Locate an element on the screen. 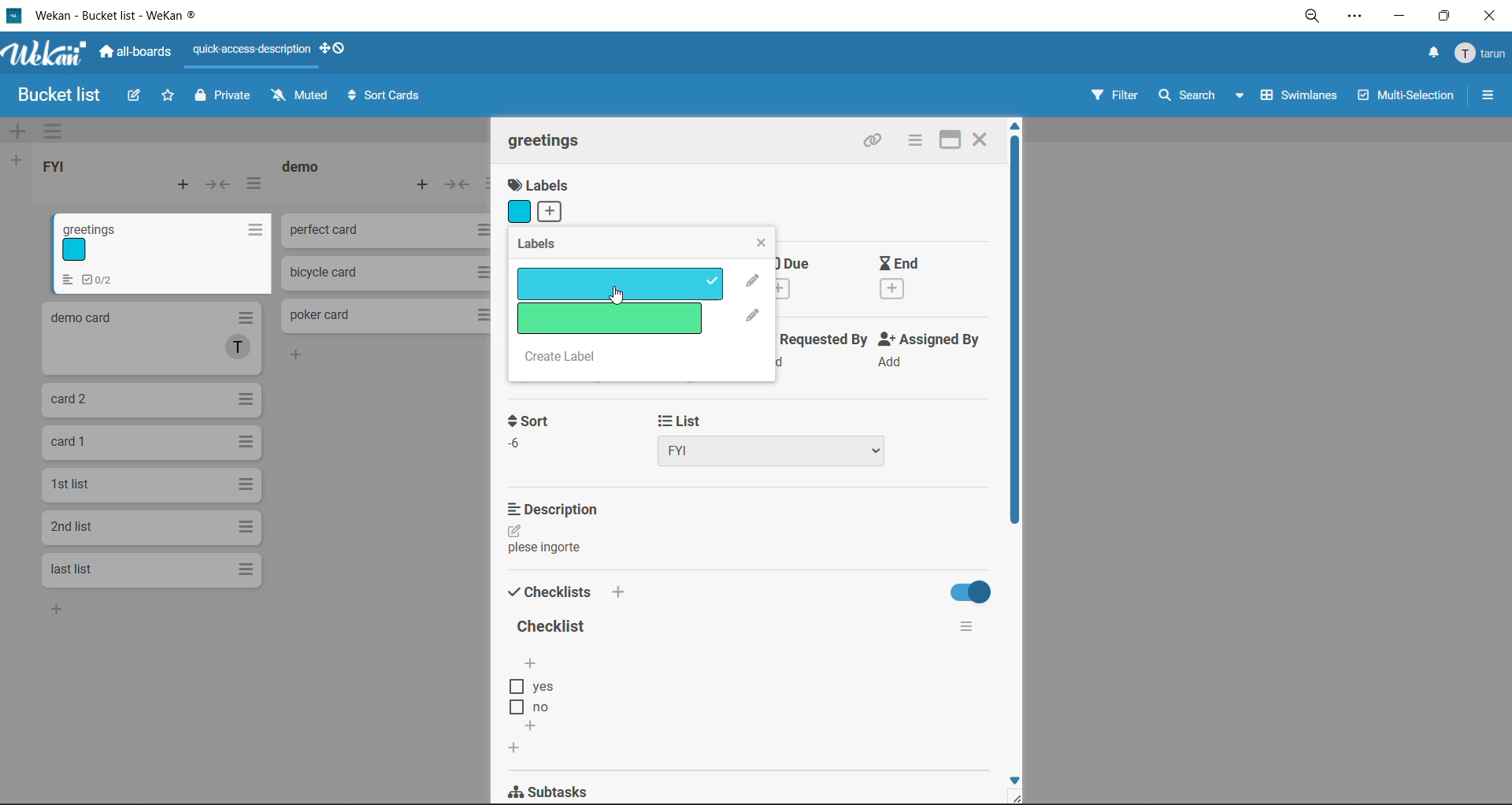 This screenshot has width=1512, height=805. close is located at coordinates (1491, 16).